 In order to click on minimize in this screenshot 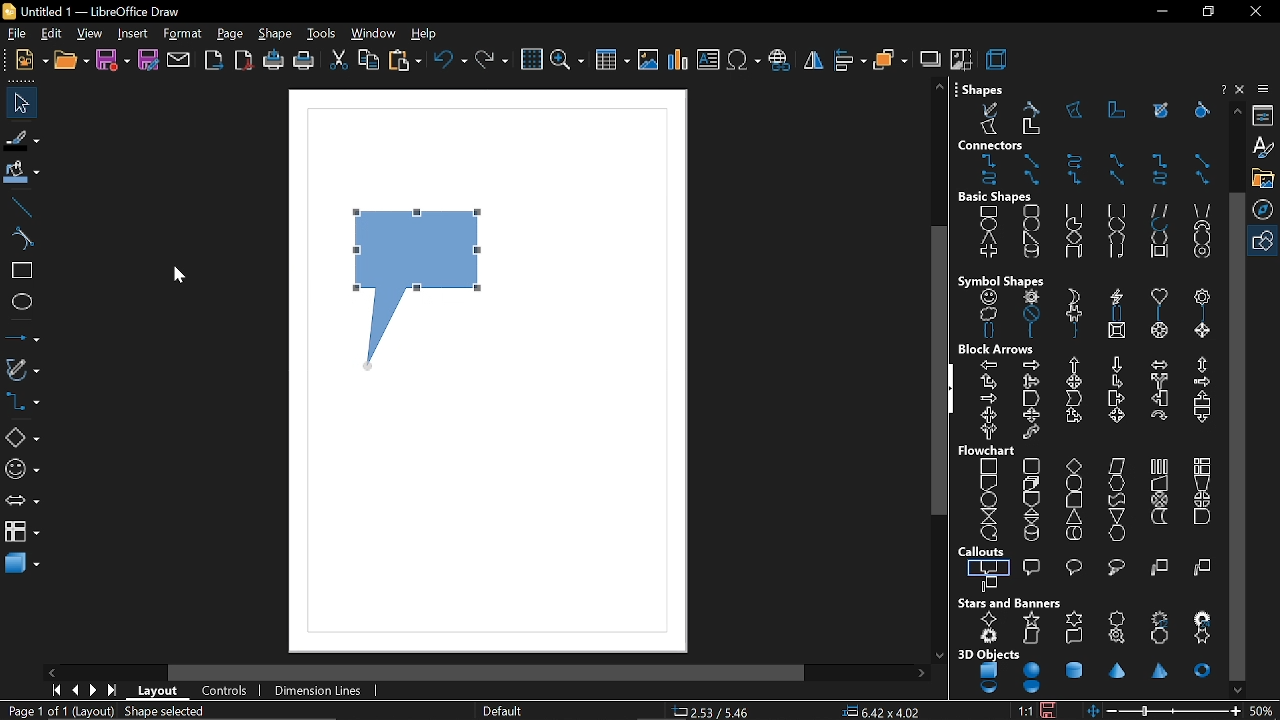, I will do `click(1160, 12)`.